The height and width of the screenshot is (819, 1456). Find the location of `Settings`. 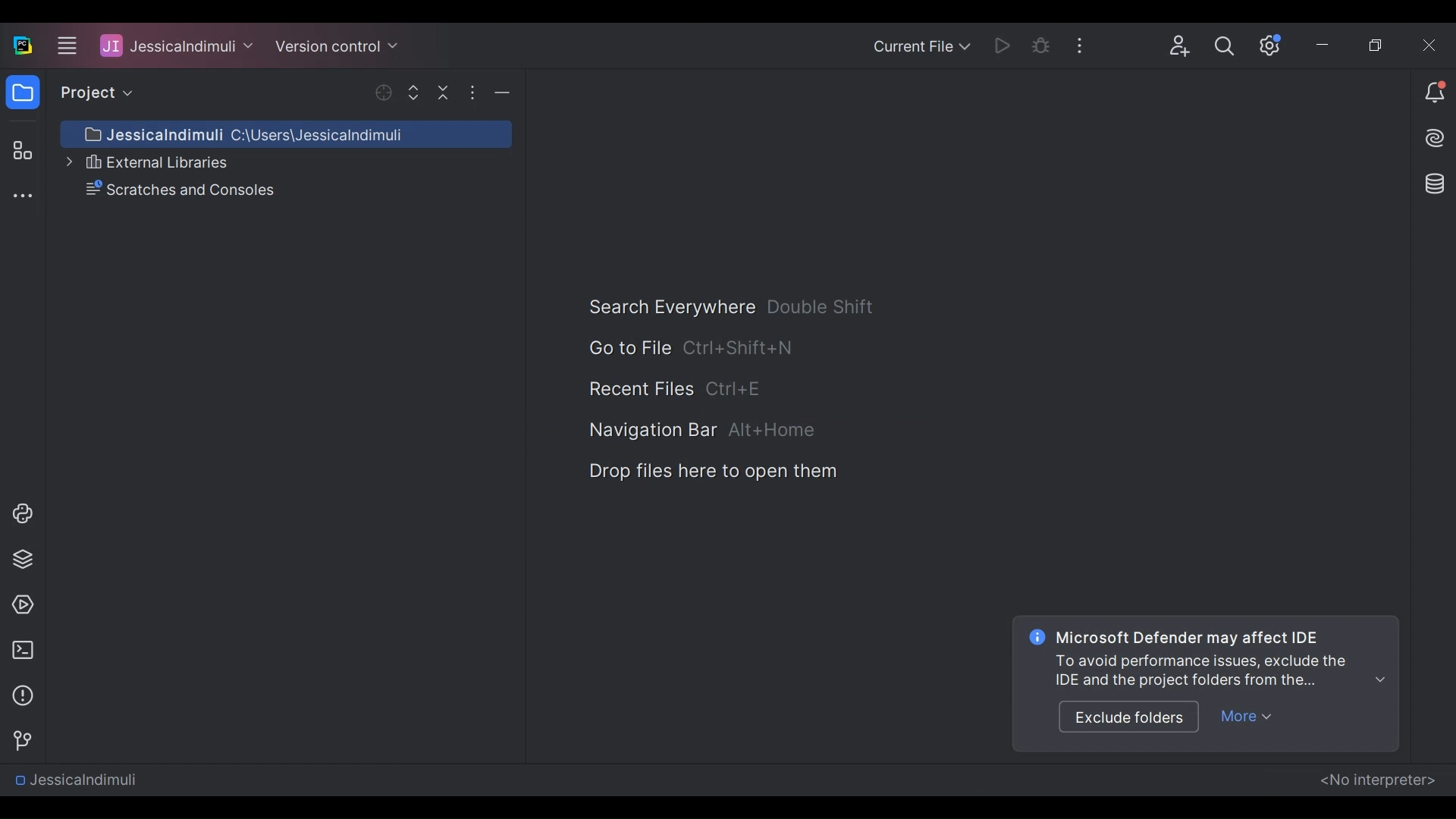

Settings is located at coordinates (1270, 47).